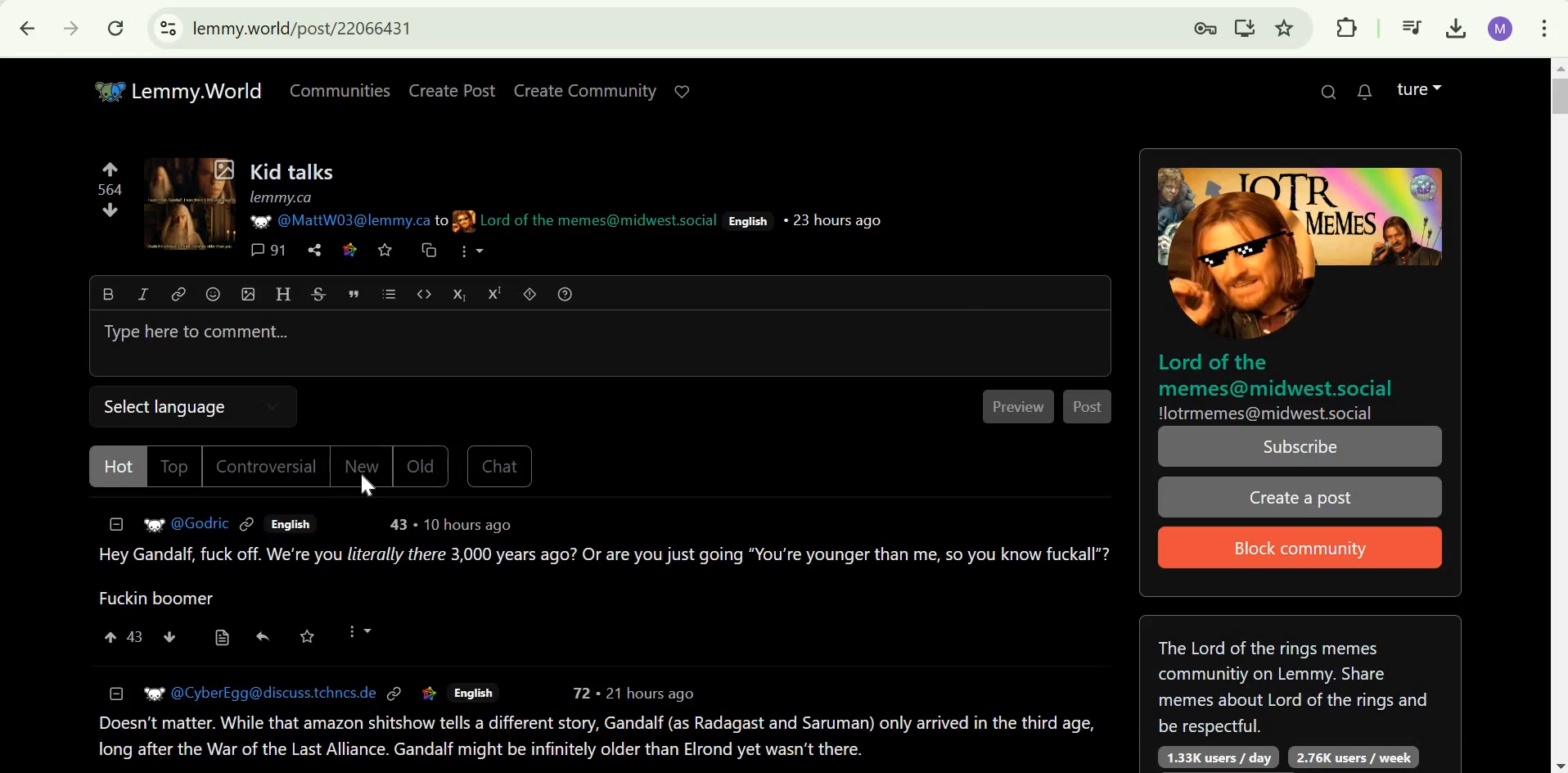  What do you see at coordinates (111, 189) in the screenshot?
I see `points` at bounding box center [111, 189].